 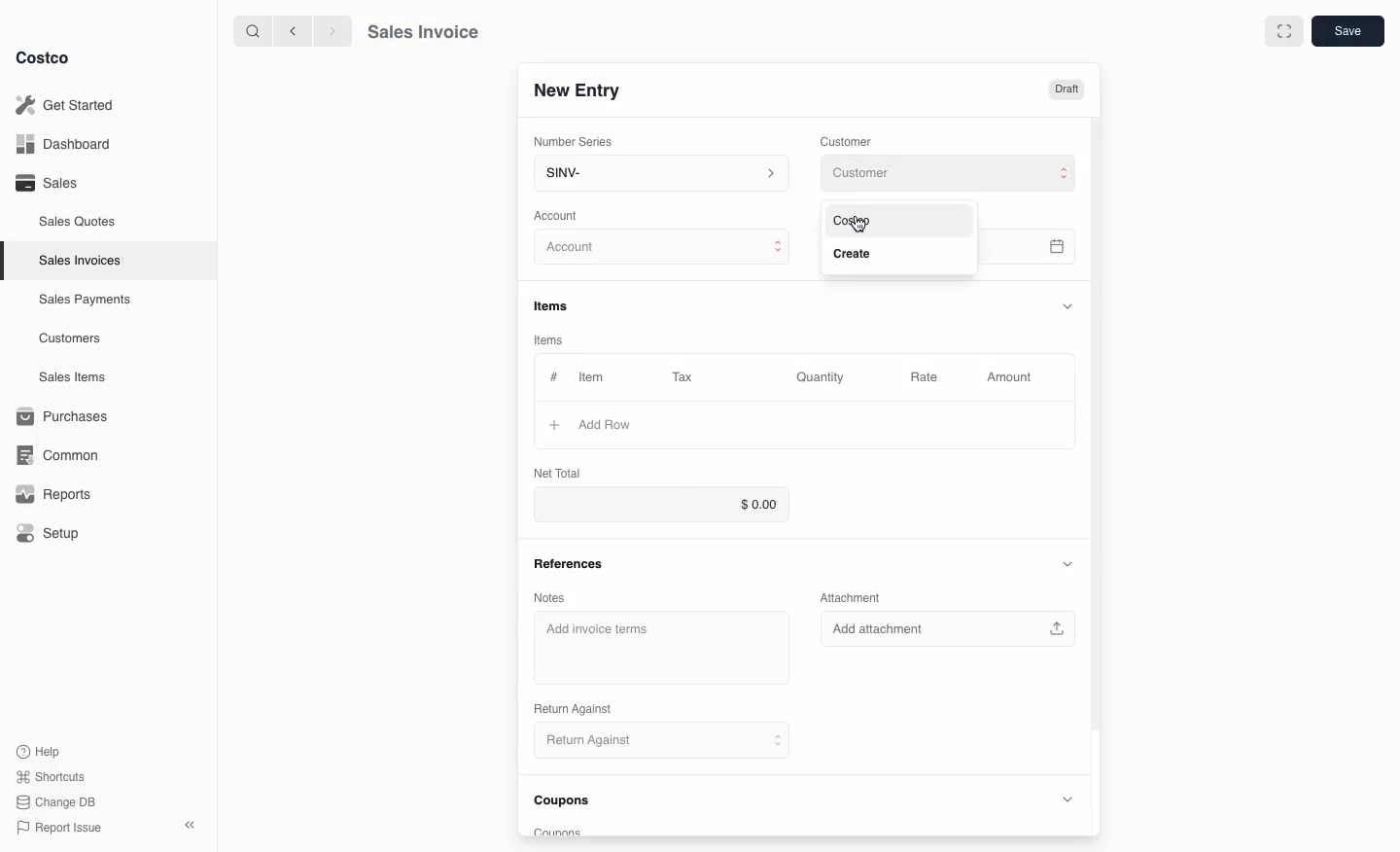 I want to click on Sales Invoices, so click(x=83, y=260).